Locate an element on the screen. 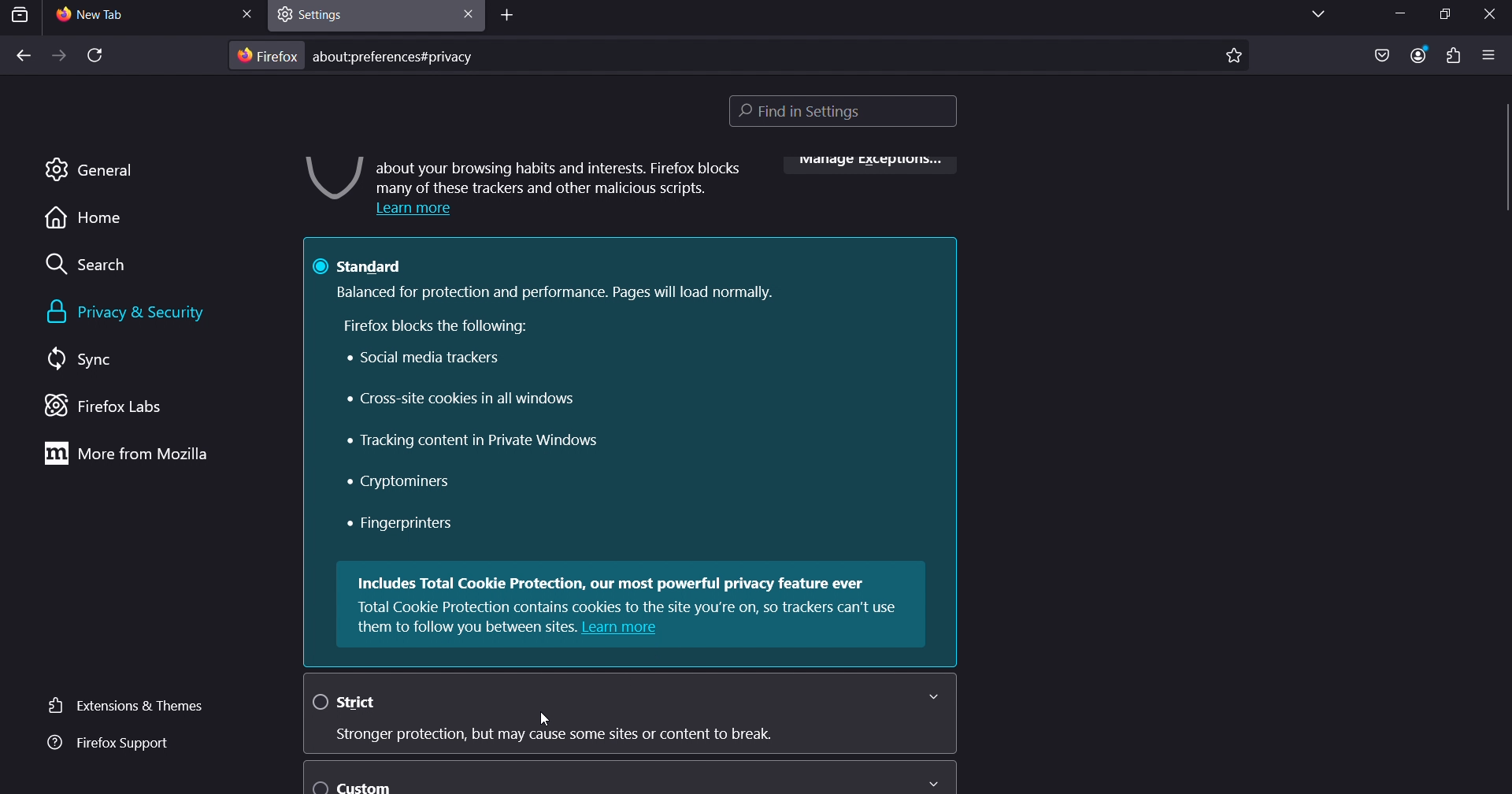 This screenshot has height=794, width=1512. cursor is located at coordinates (548, 720).